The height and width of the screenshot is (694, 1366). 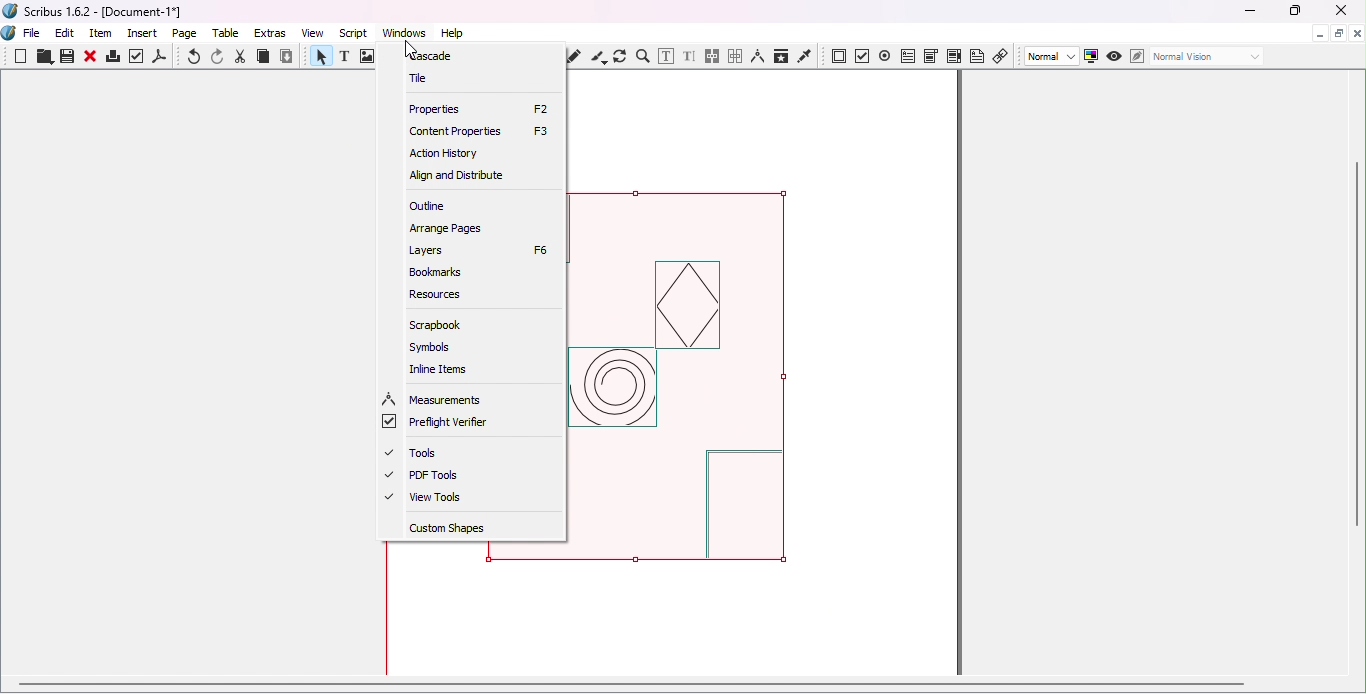 What do you see at coordinates (1293, 11) in the screenshot?
I see `Maximize` at bounding box center [1293, 11].